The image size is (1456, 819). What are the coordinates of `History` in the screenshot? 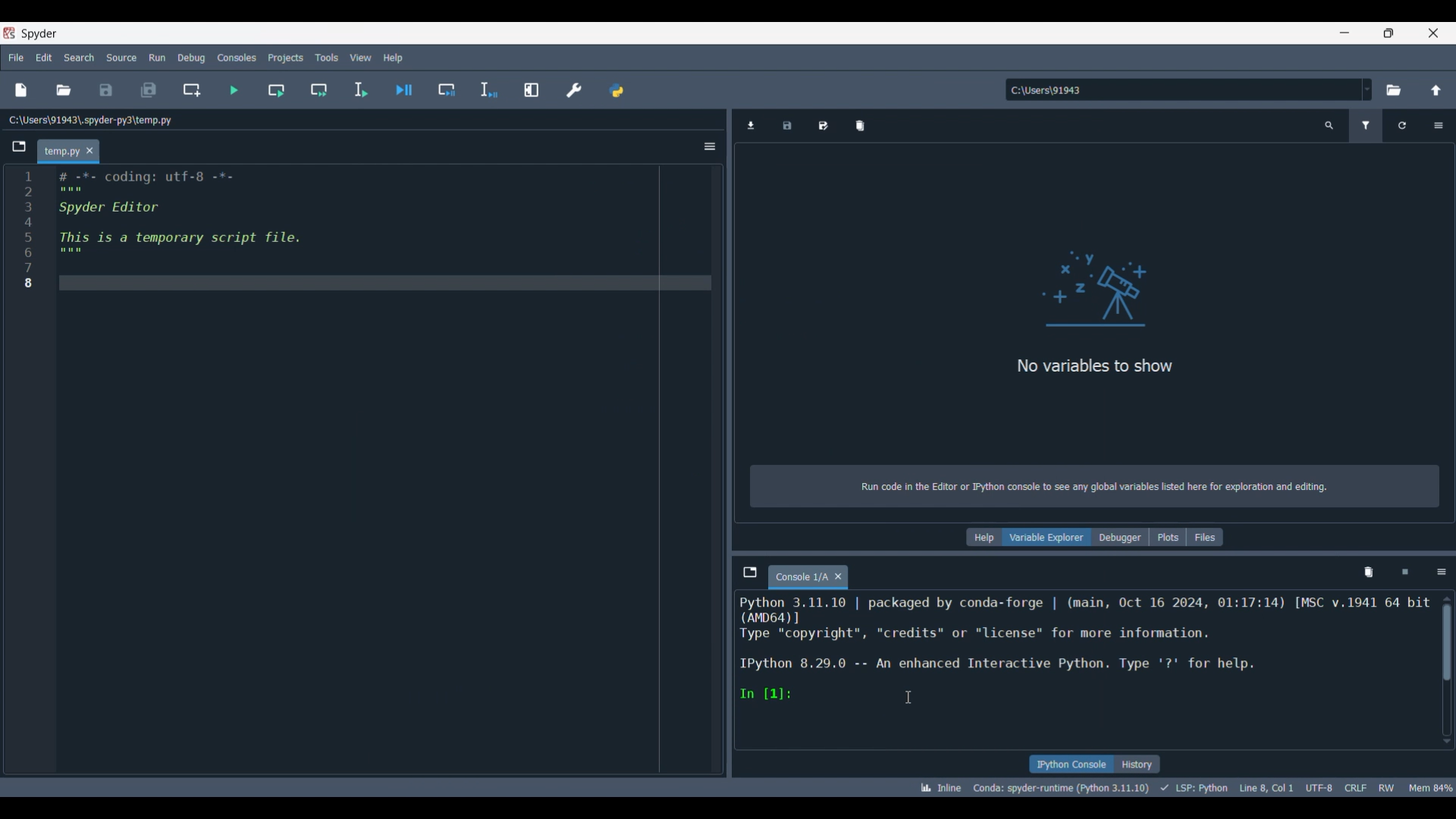 It's located at (1137, 764).